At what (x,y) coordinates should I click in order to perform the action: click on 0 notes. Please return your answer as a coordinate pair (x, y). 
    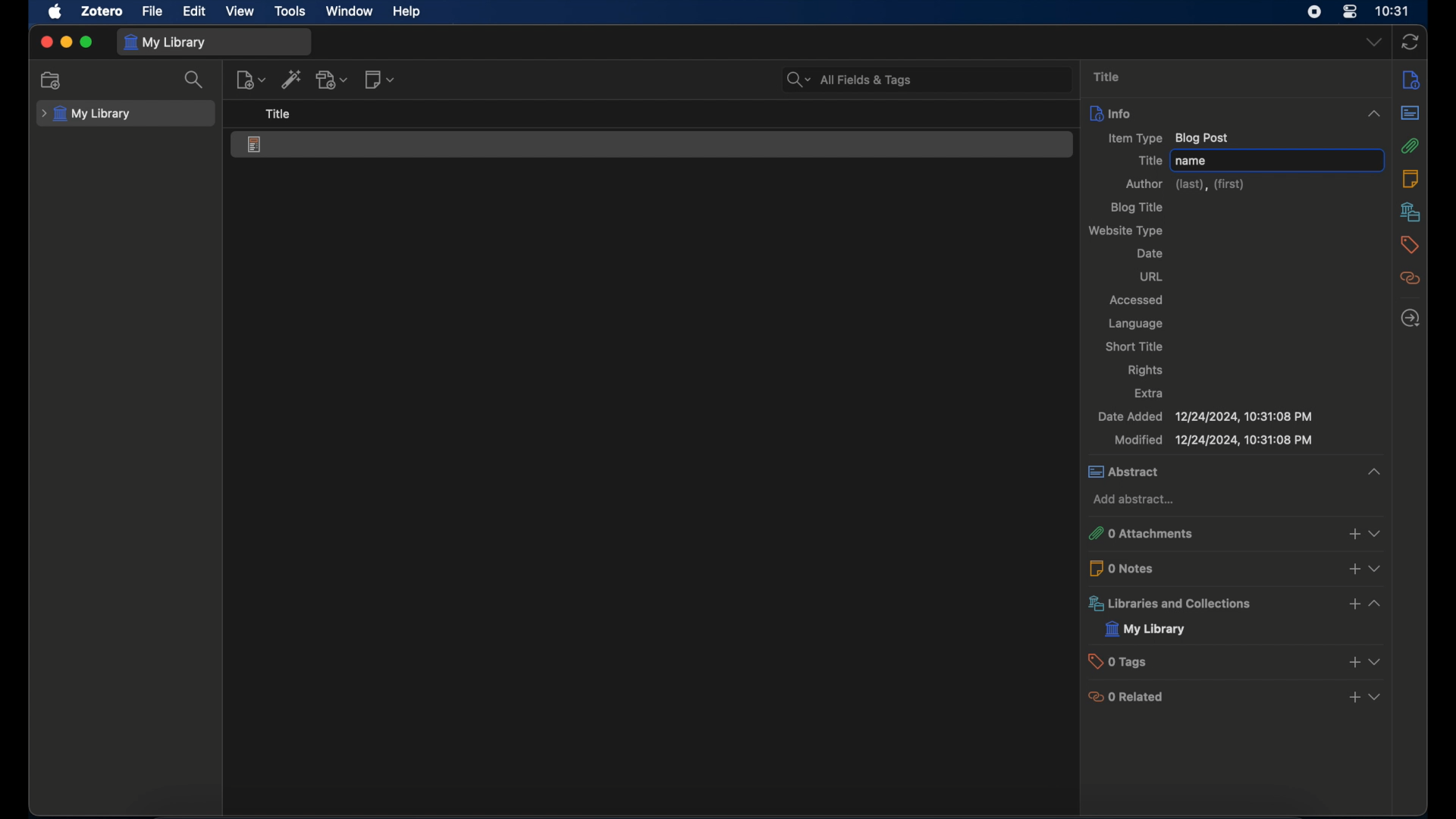
    Looking at the image, I should click on (1237, 567).